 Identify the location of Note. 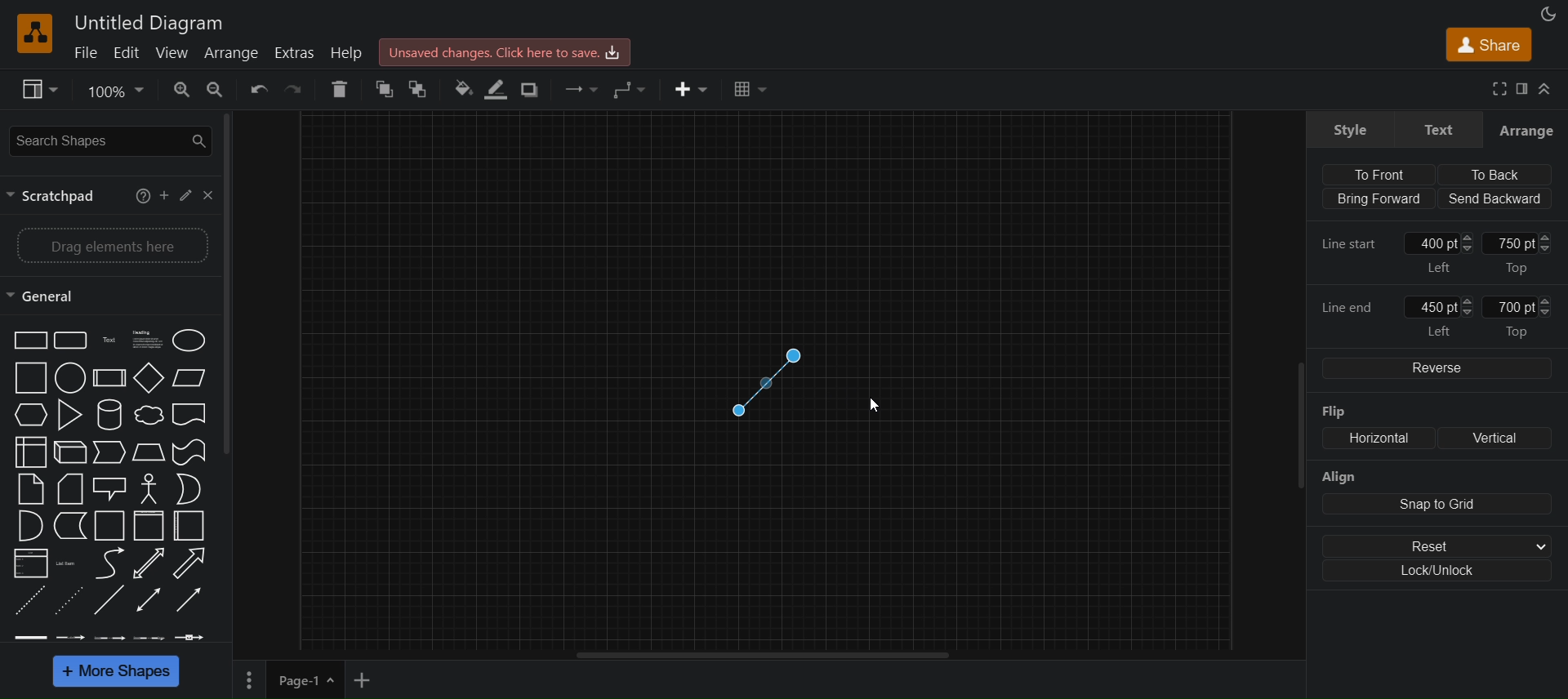
(30, 489).